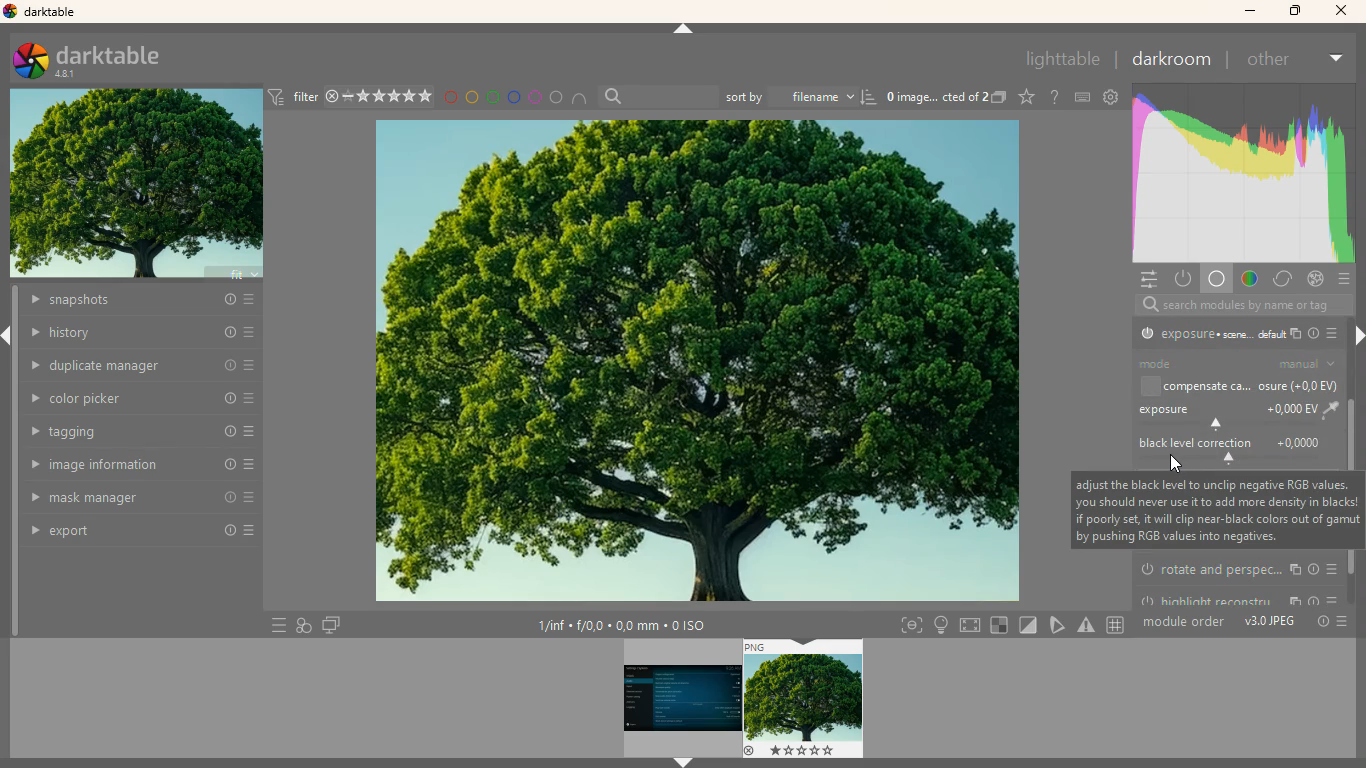 The image size is (1366, 768). What do you see at coordinates (1057, 625) in the screenshot?
I see `pick` at bounding box center [1057, 625].